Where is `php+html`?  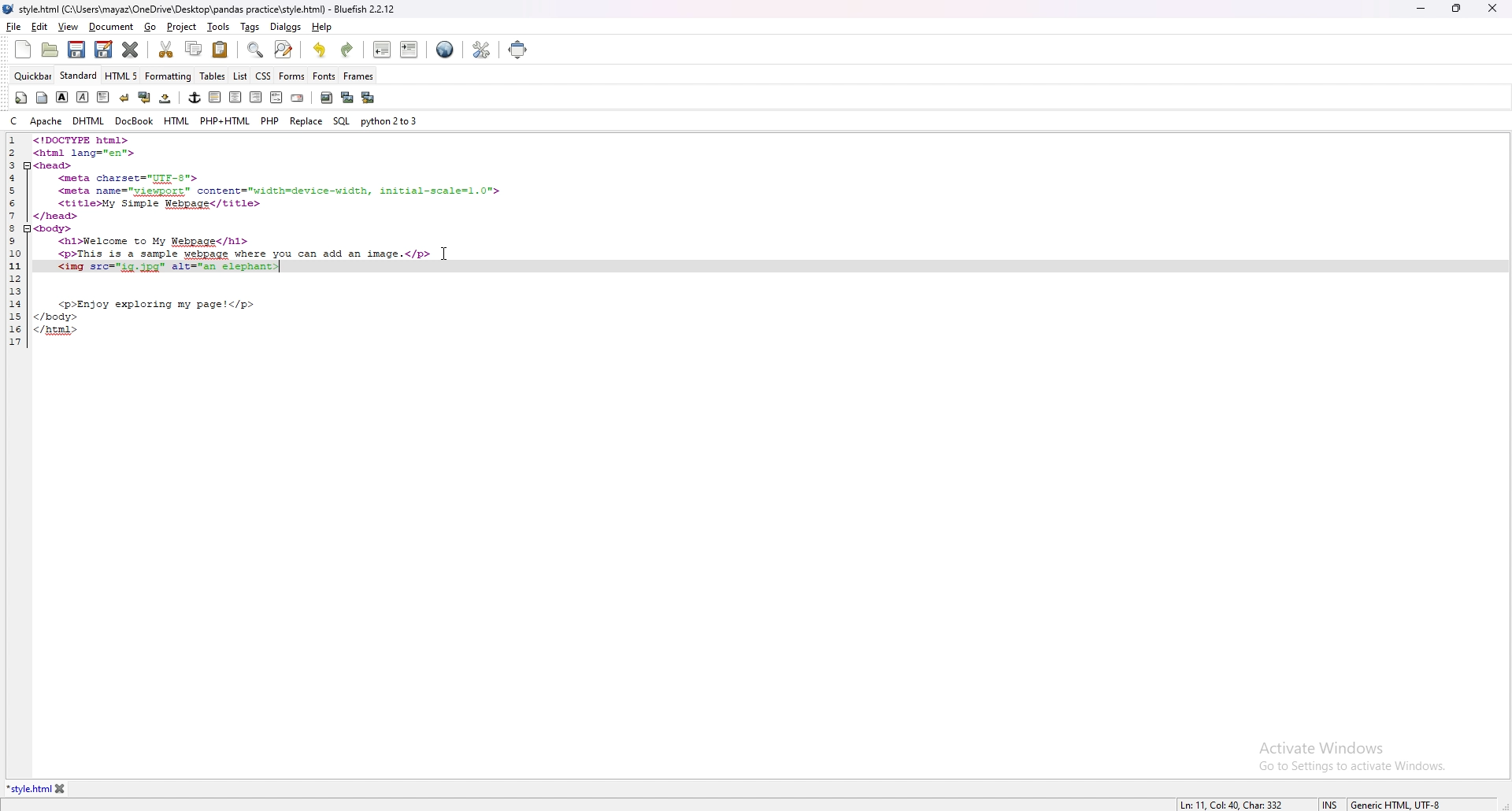 php+html is located at coordinates (226, 121).